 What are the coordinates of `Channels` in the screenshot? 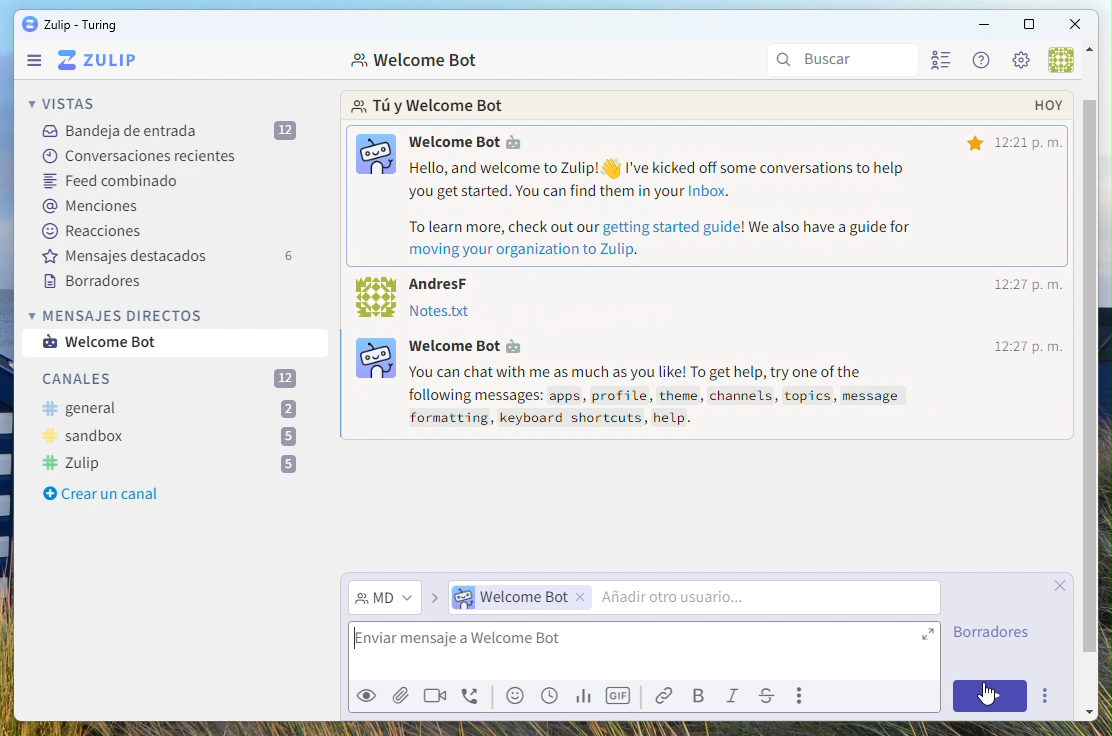 It's located at (174, 379).